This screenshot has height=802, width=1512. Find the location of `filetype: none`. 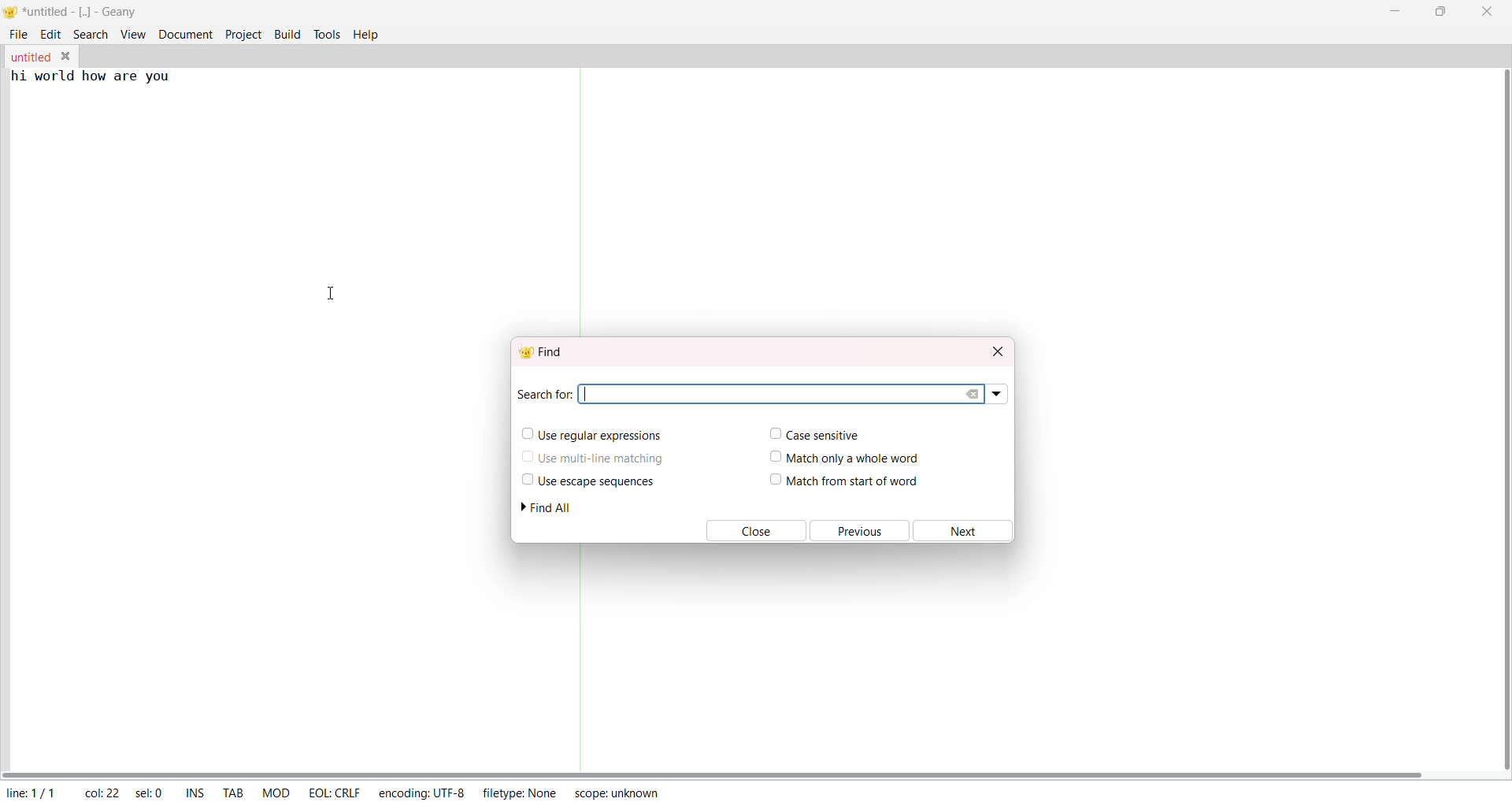

filetype: none is located at coordinates (519, 793).